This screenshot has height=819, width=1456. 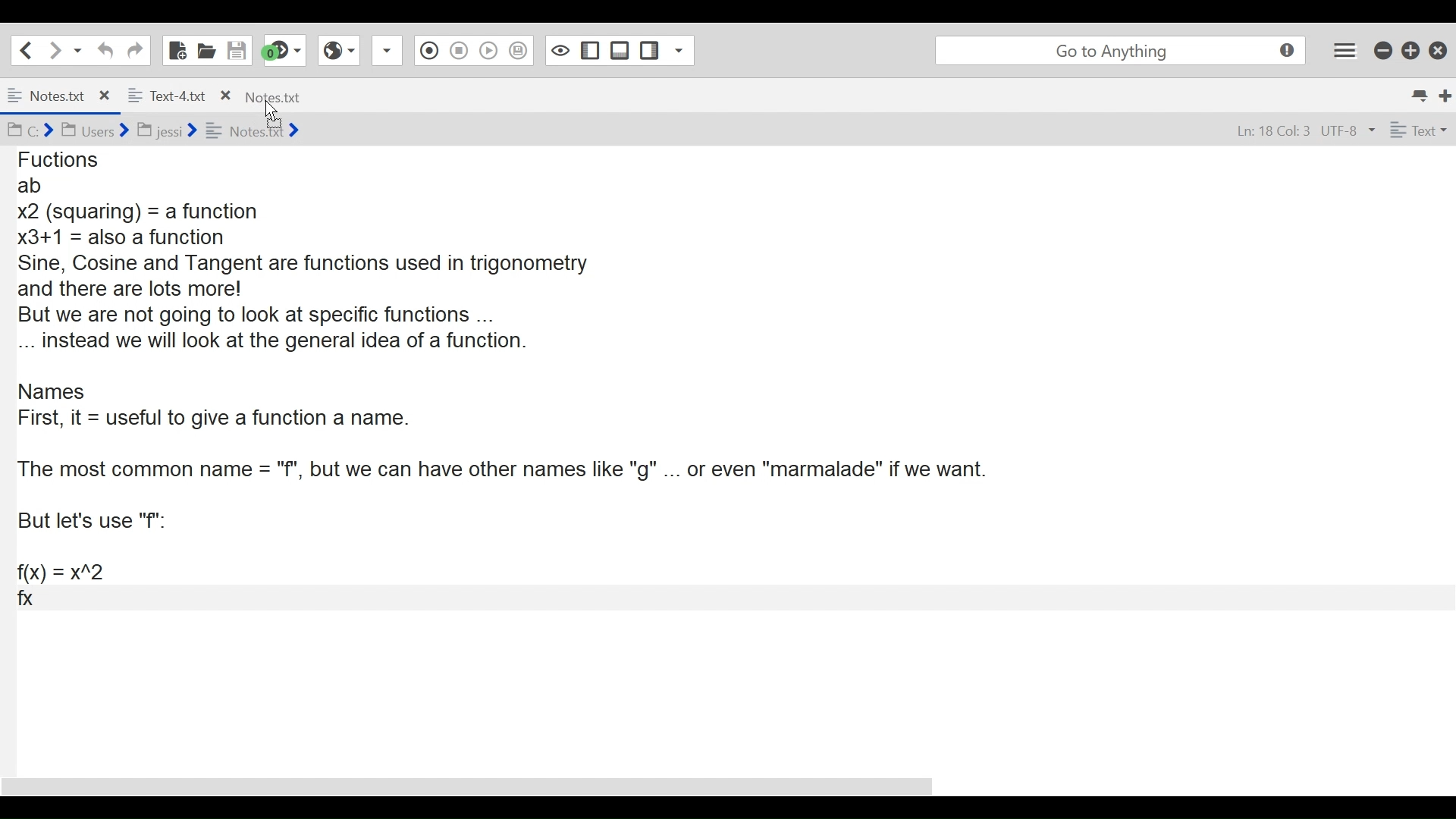 What do you see at coordinates (458, 52) in the screenshot?
I see `Stop Recording in Macro` at bounding box center [458, 52].